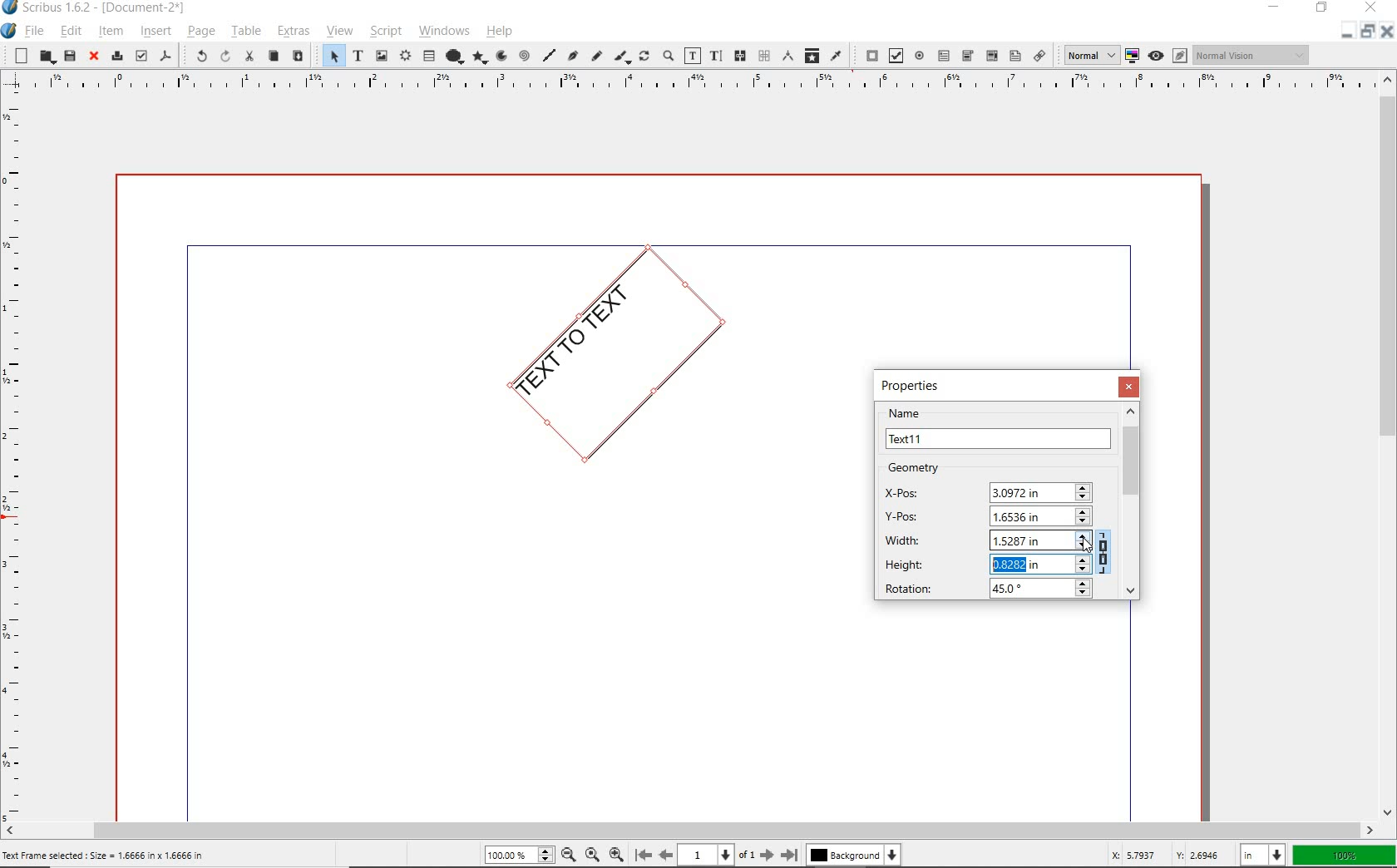 This screenshot has width=1397, height=868. What do you see at coordinates (612, 358) in the screenshot?
I see `TEXT FRAME ROTATED` at bounding box center [612, 358].